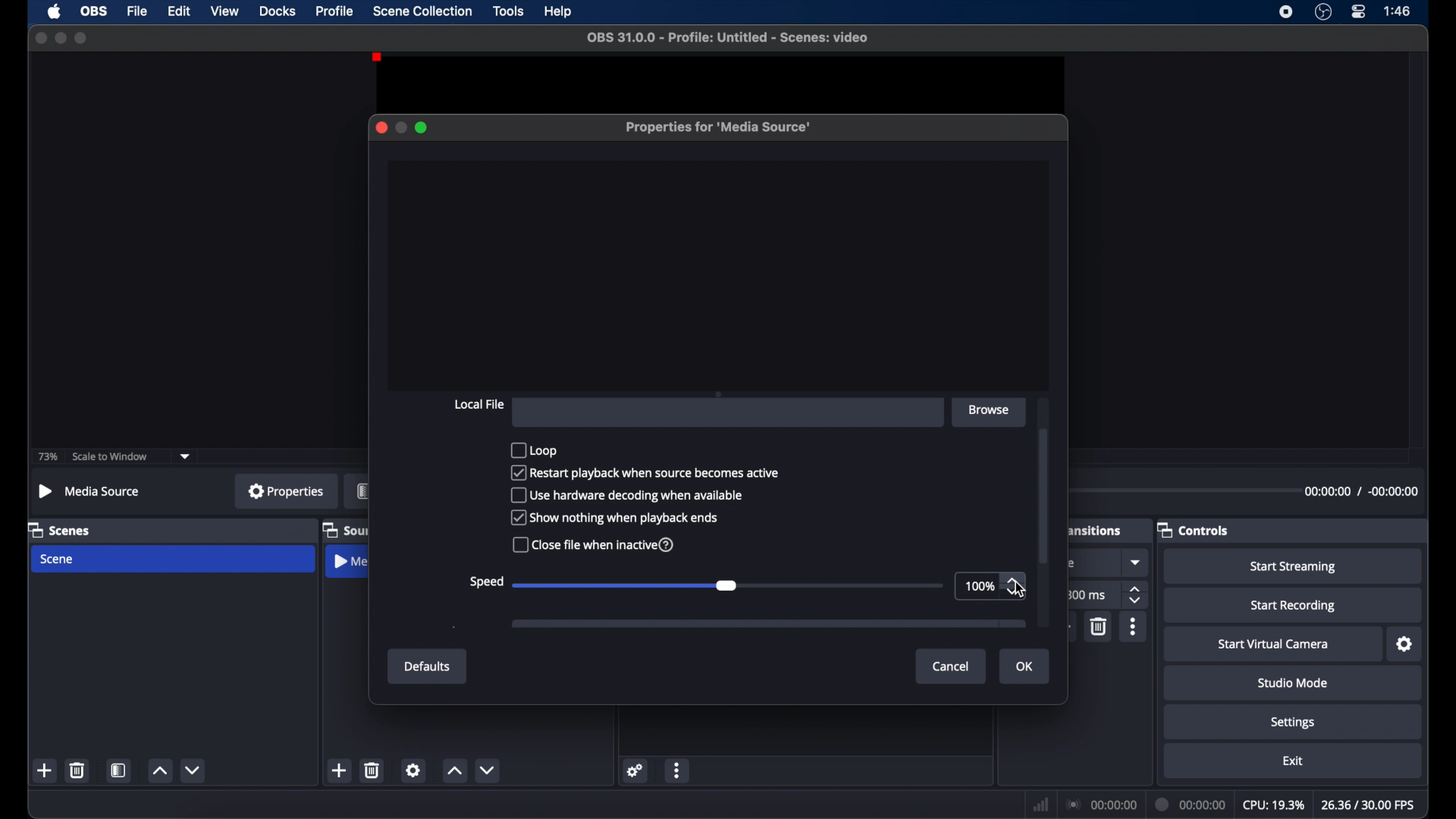 The height and width of the screenshot is (819, 1456). Describe the element at coordinates (194, 770) in the screenshot. I see `decrement` at that location.